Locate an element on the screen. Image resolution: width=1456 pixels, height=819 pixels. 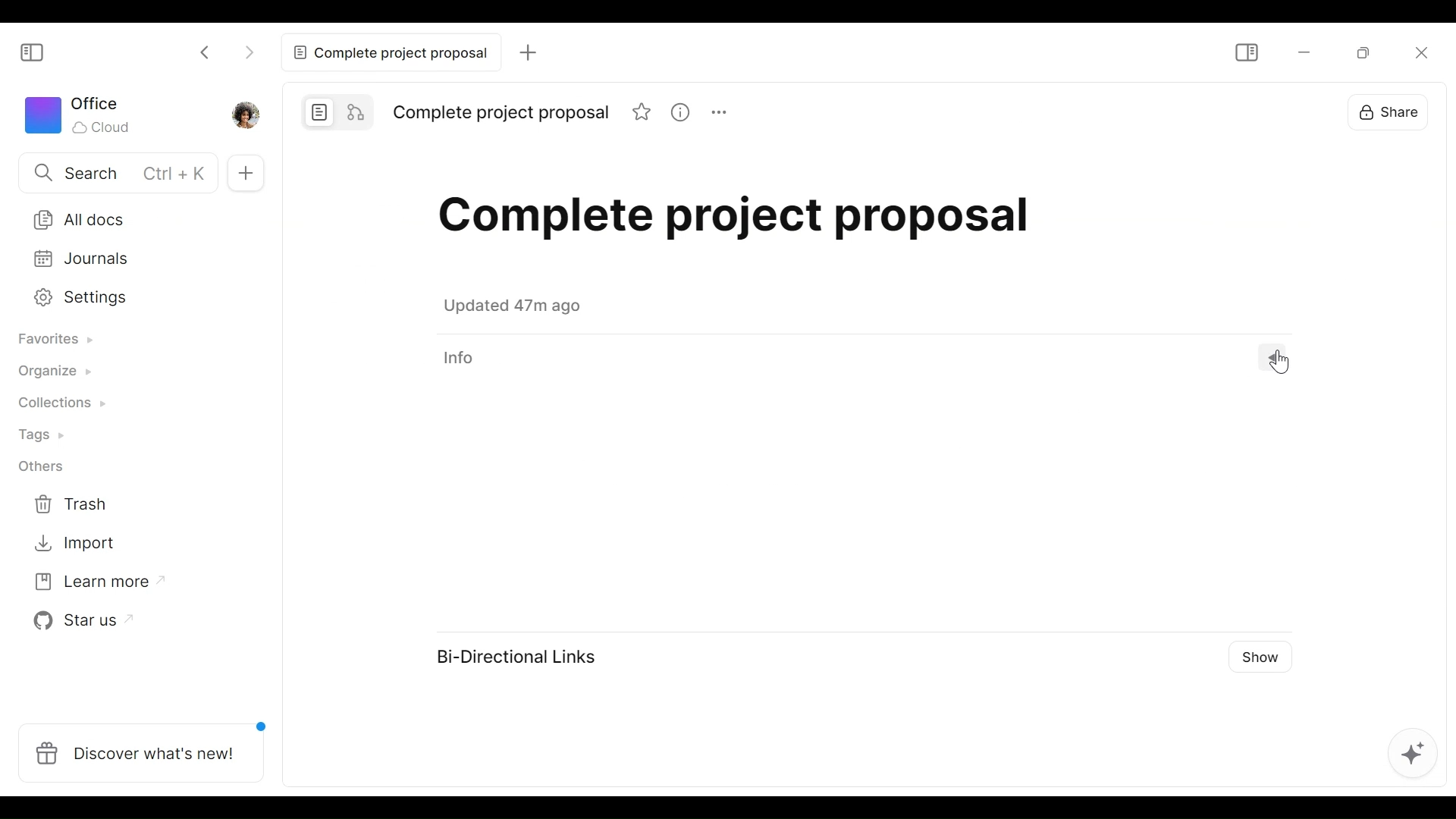
Show/Hide Sidebar is located at coordinates (39, 53).